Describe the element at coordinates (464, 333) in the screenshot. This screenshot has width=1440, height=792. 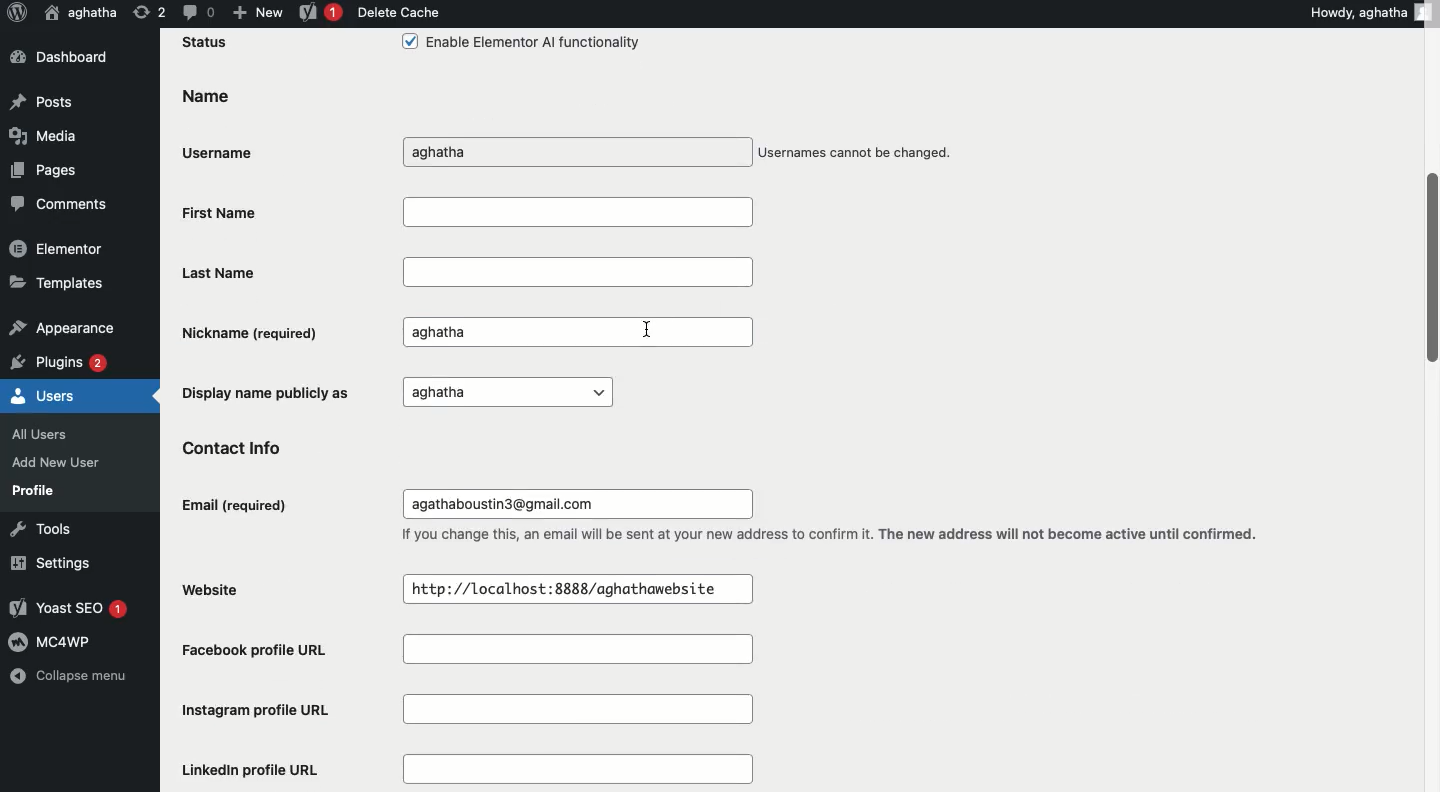
I see `Nickname` at that location.